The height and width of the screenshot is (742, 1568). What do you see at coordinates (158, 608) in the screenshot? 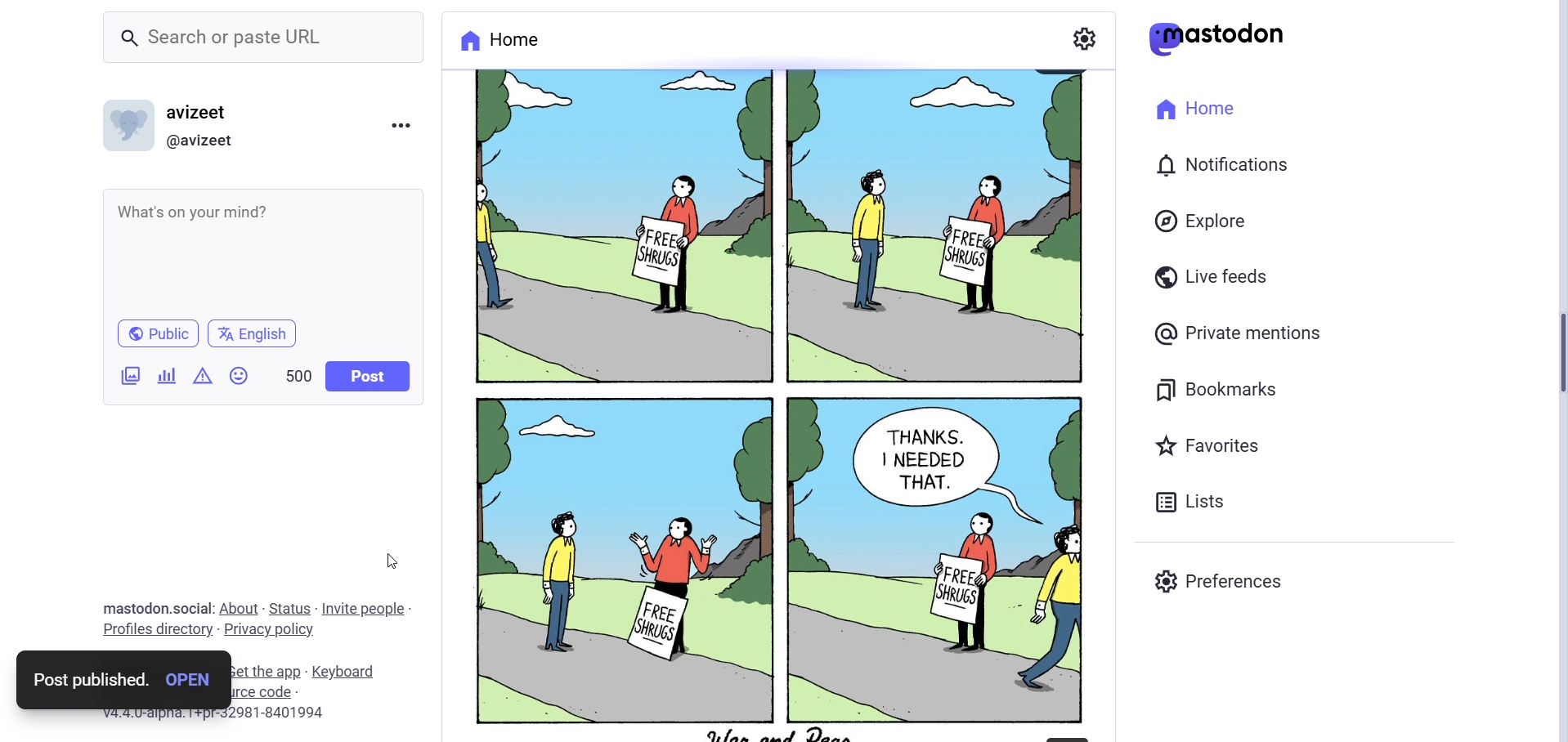
I see `Text` at bounding box center [158, 608].